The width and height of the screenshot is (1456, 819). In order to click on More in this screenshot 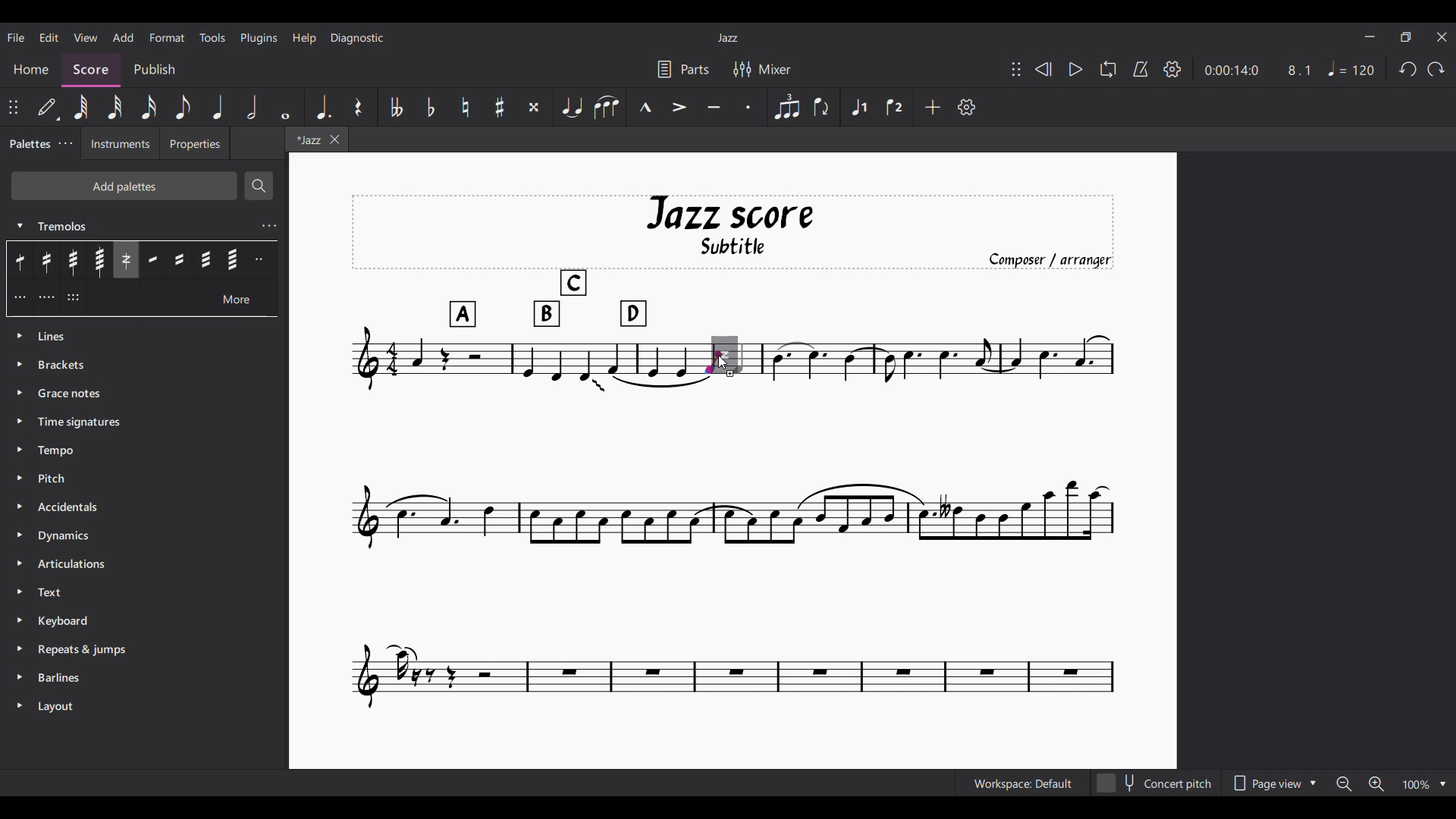, I will do `click(237, 297)`.